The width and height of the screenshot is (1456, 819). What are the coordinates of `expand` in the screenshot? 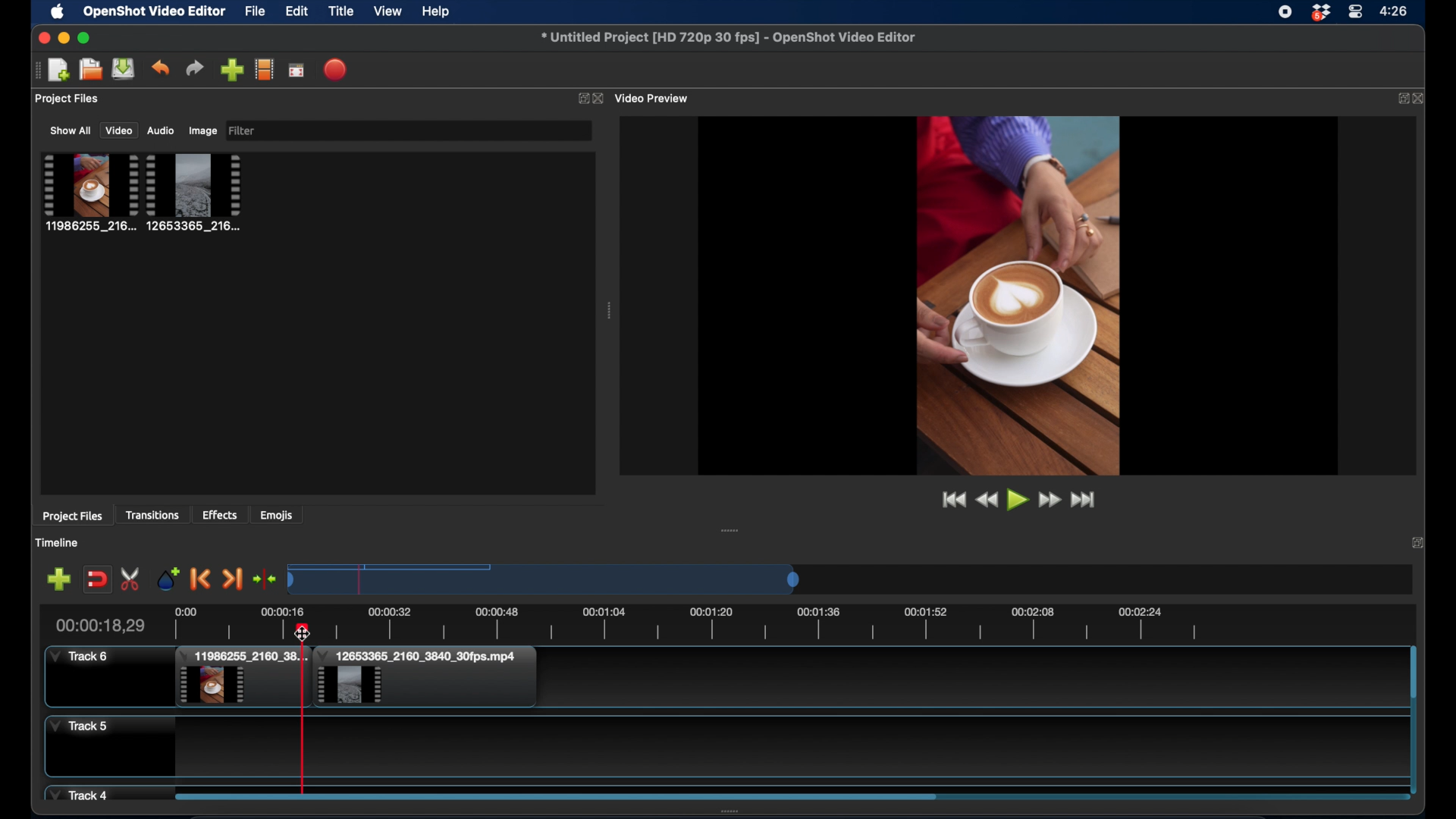 It's located at (581, 98).